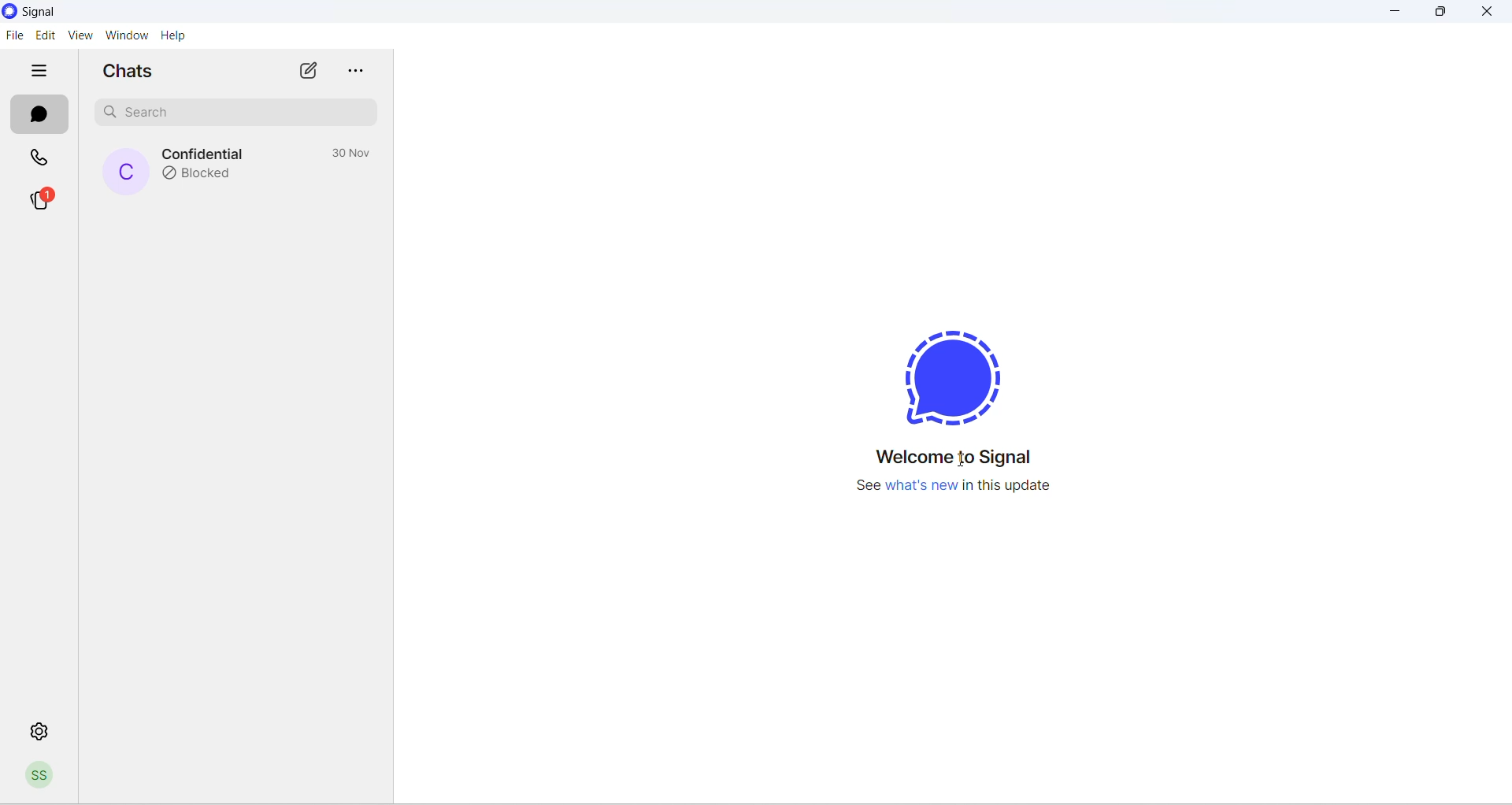 The image size is (1512, 805). Describe the element at coordinates (360, 67) in the screenshot. I see `more options` at that location.